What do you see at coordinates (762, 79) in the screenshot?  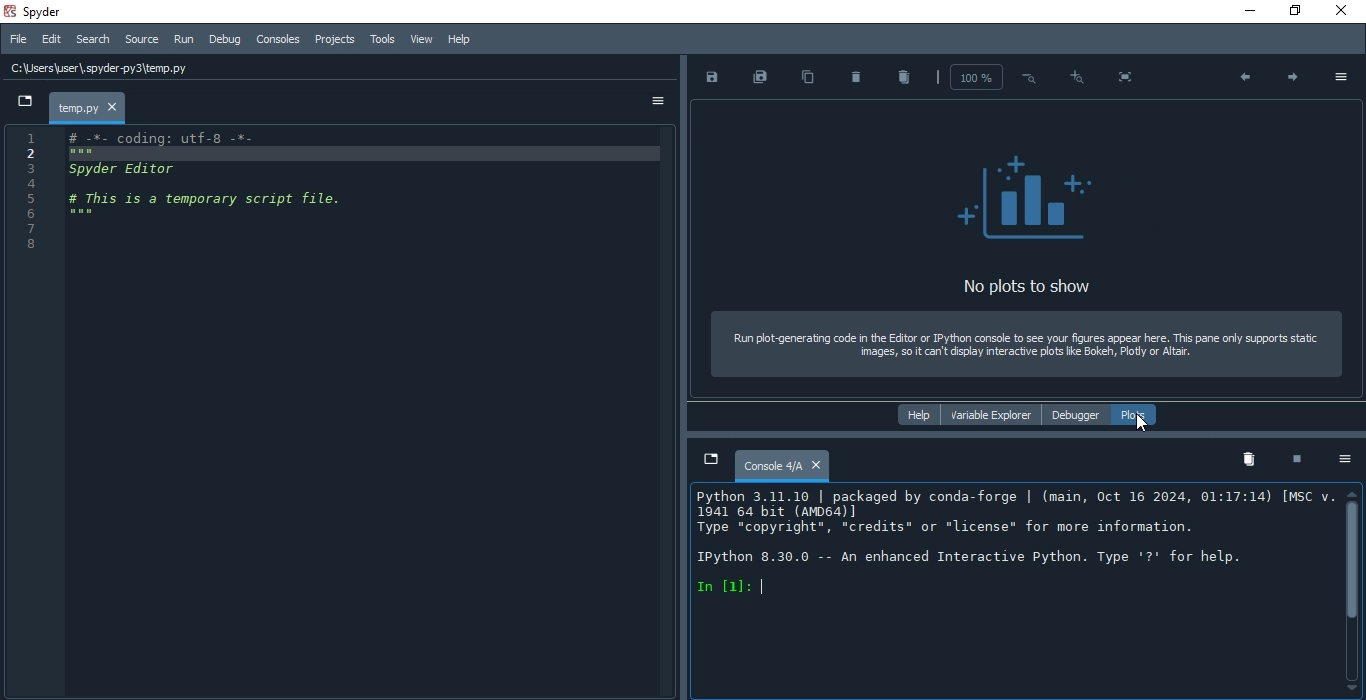 I see `save all` at bounding box center [762, 79].